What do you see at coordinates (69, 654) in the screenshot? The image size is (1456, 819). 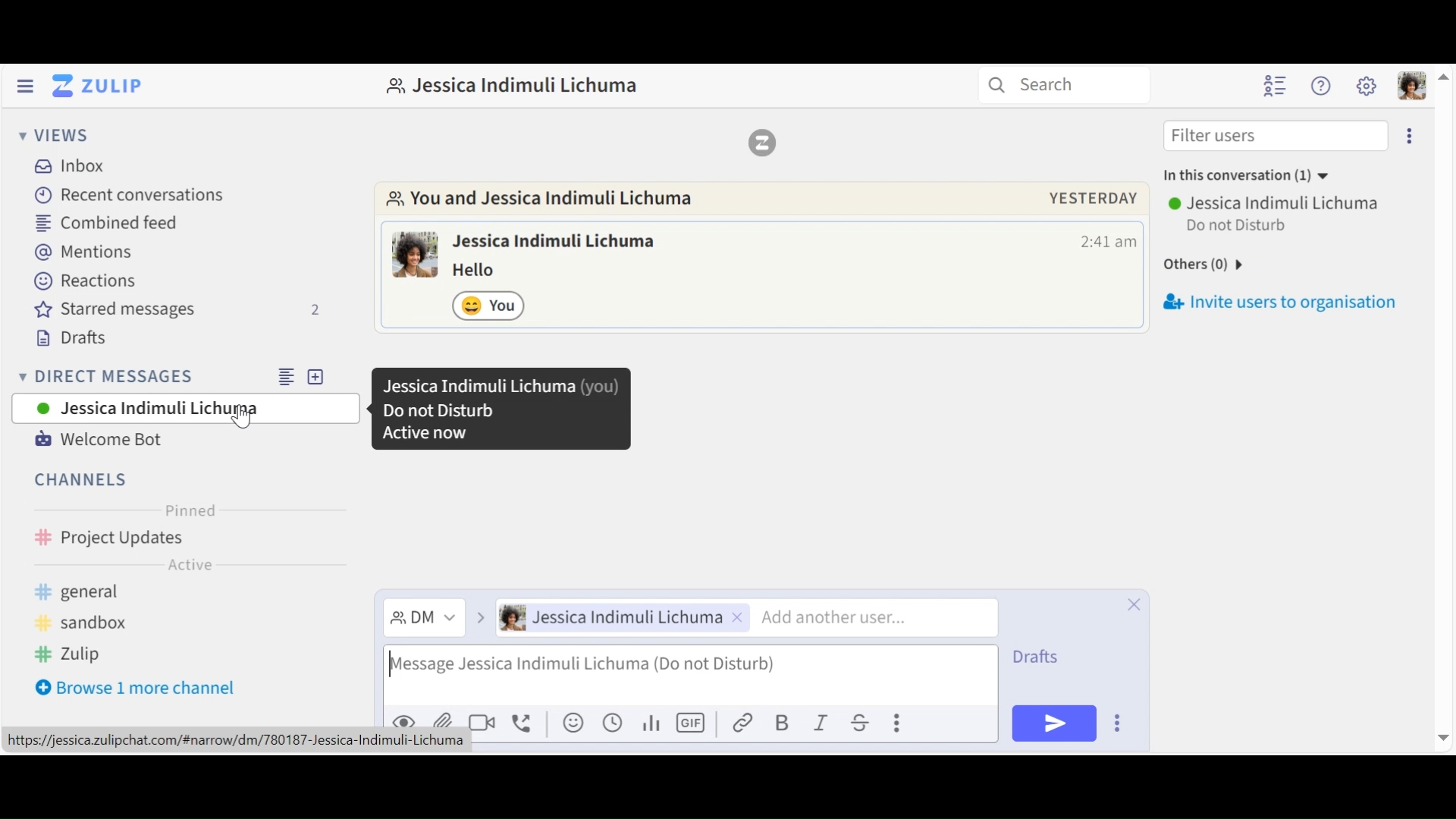 I see `zulip` at bounding box center [69, 654].